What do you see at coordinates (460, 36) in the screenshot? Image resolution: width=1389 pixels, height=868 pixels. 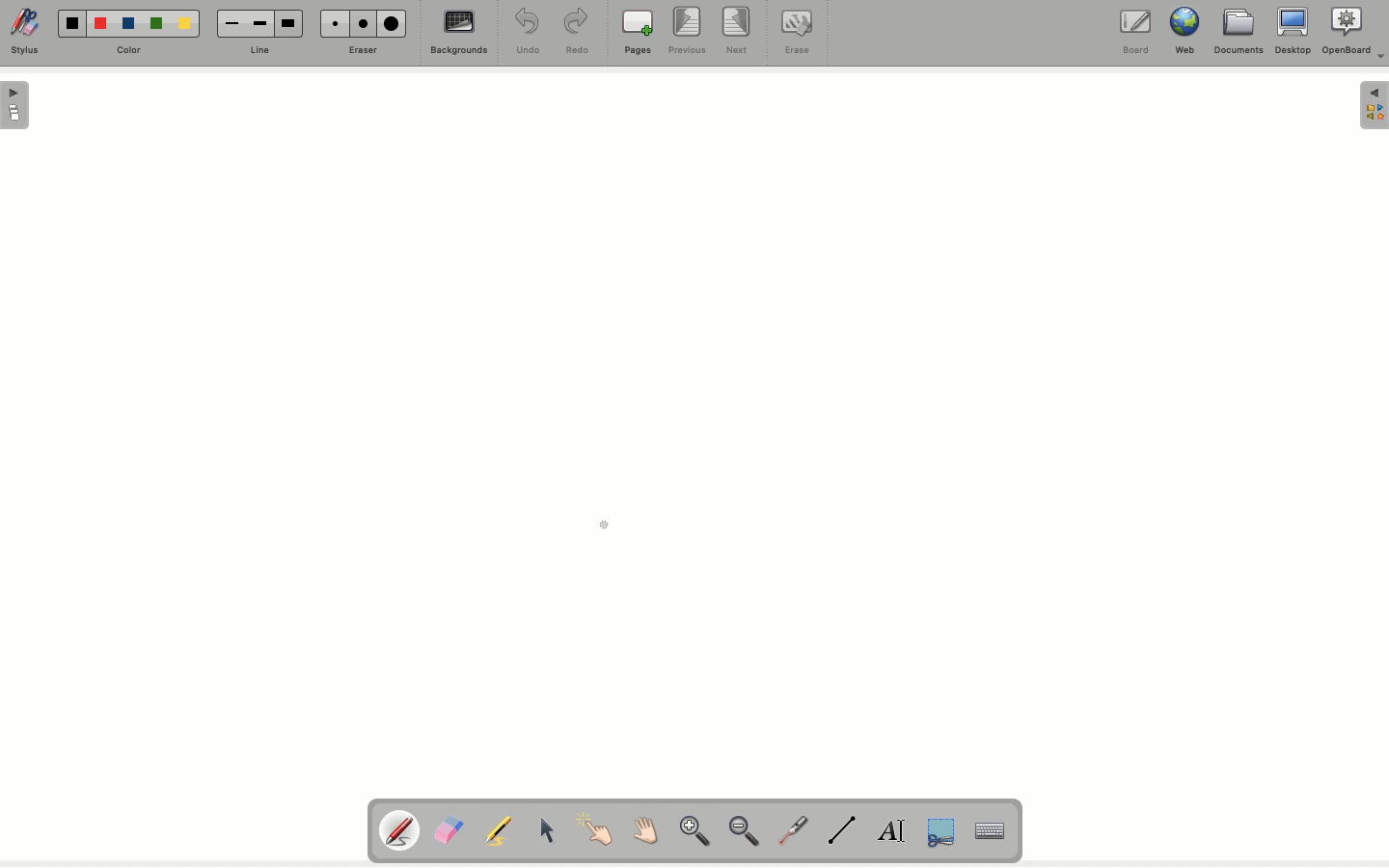 I see `Backgrounds` at bounding box center [460, 36].